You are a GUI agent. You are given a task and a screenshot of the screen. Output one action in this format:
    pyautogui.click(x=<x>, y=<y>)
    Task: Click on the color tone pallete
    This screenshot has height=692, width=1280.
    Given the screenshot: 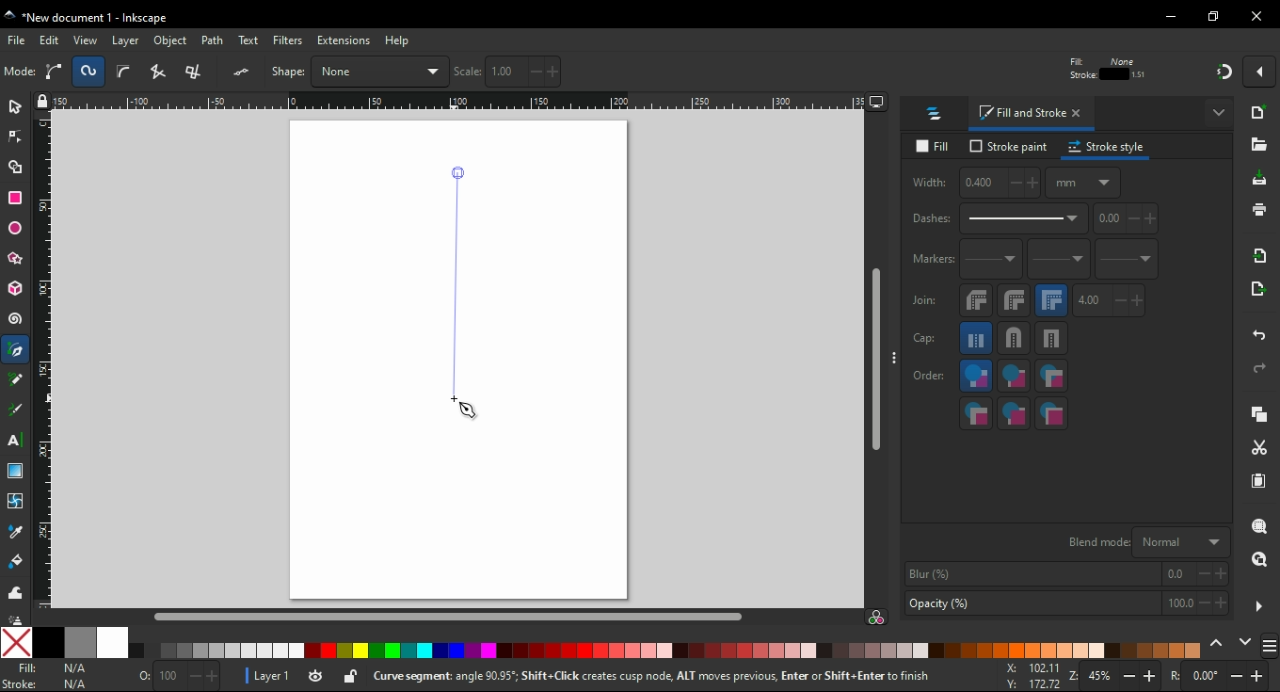 What is the action you would take?
    pyautogui.click(x=219, y=651)
    